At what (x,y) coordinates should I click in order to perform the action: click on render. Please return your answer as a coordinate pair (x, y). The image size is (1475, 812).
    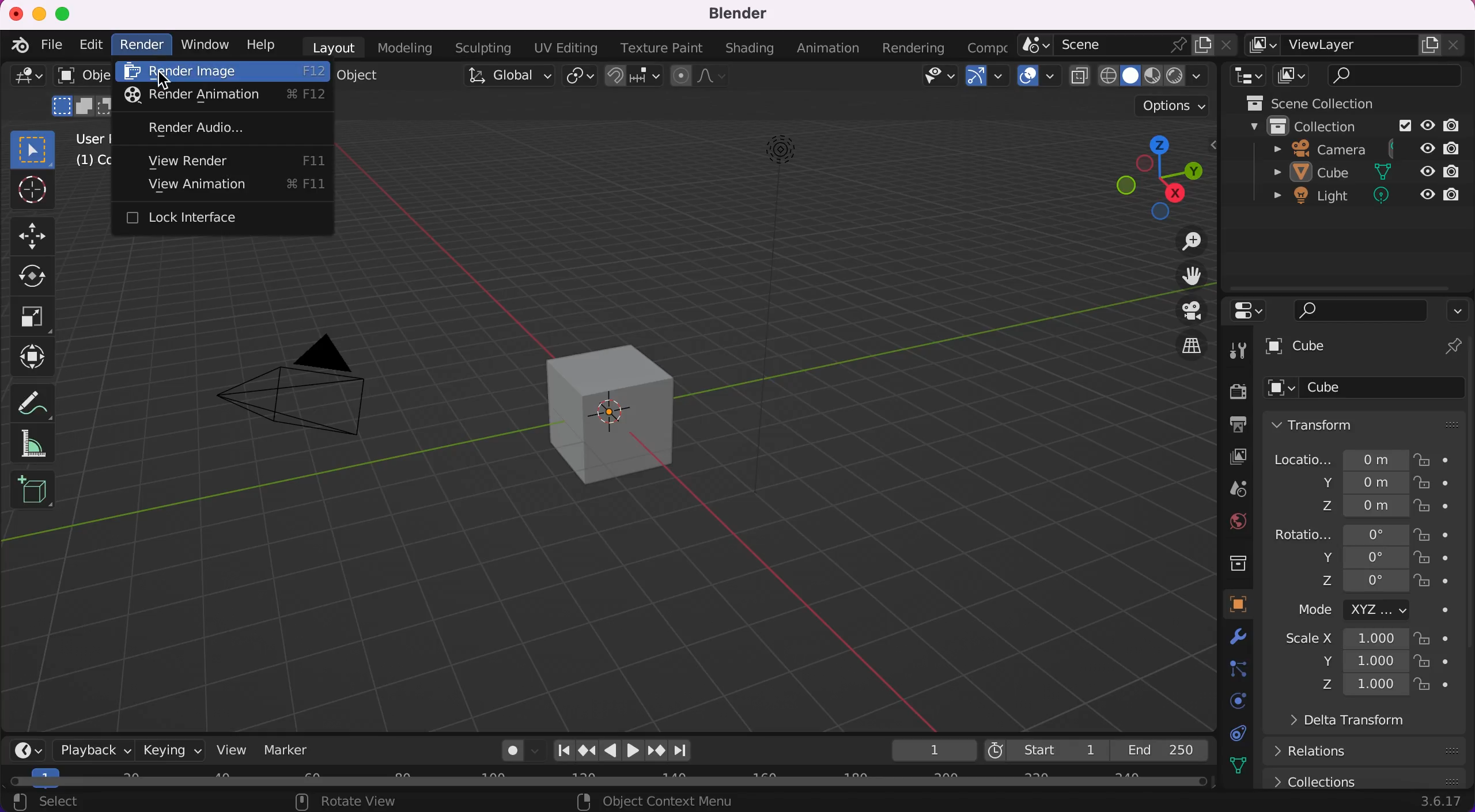
    Looking at the image, I should click on (142, 47).